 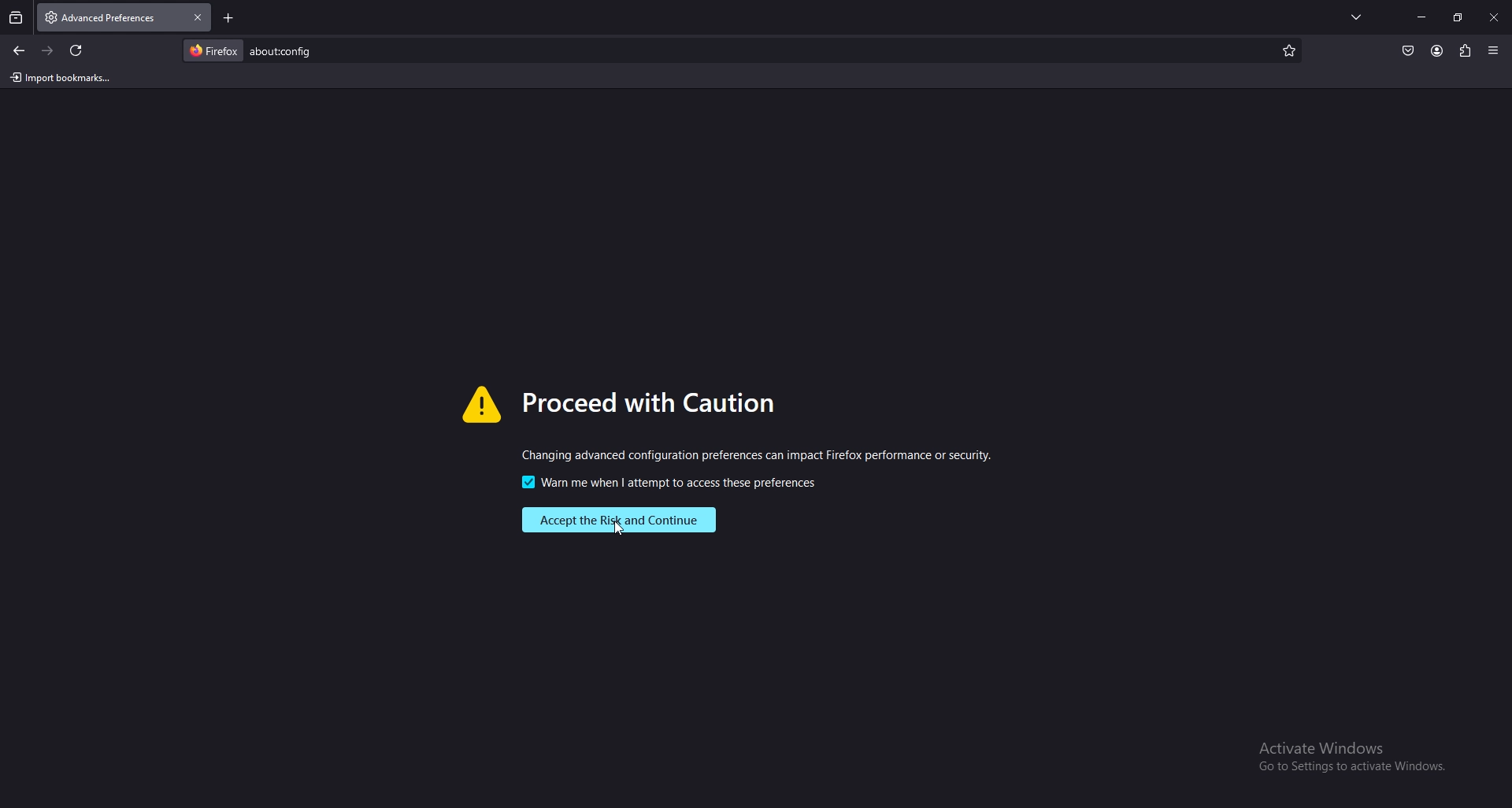 I want to click on resize, so click(x=1458, y=17).